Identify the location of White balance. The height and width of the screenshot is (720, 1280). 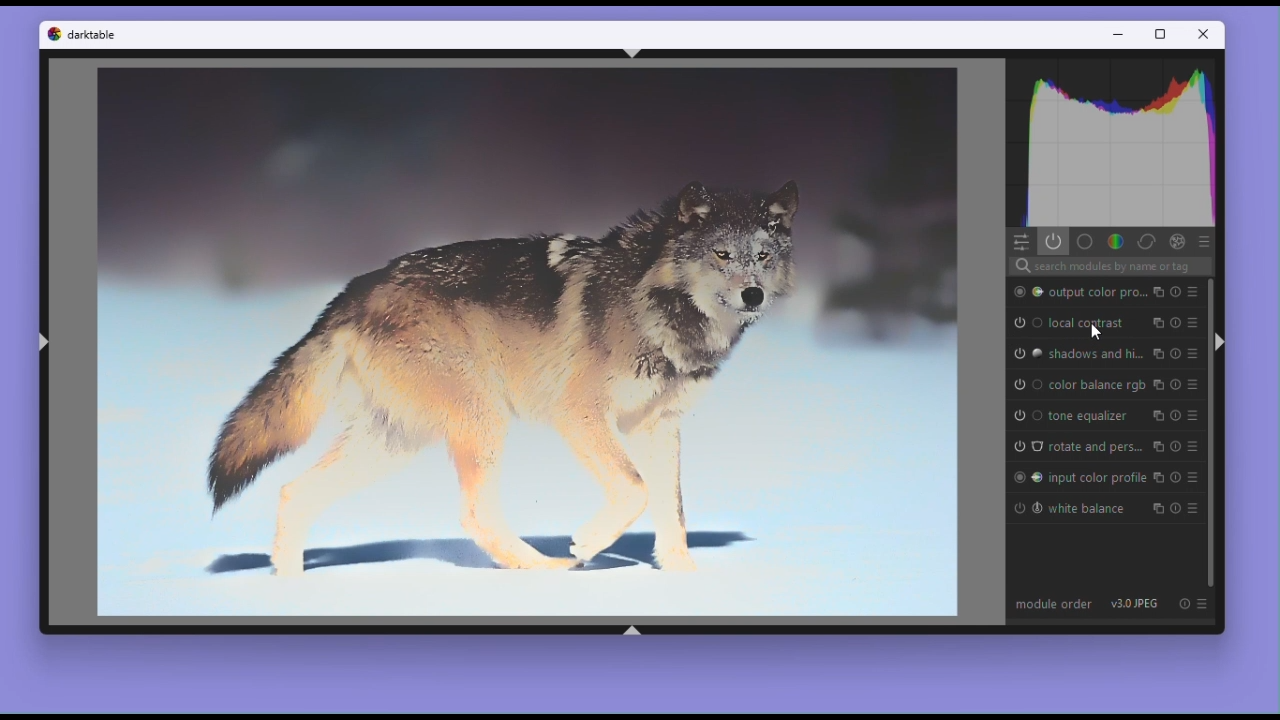
(1096, 508).